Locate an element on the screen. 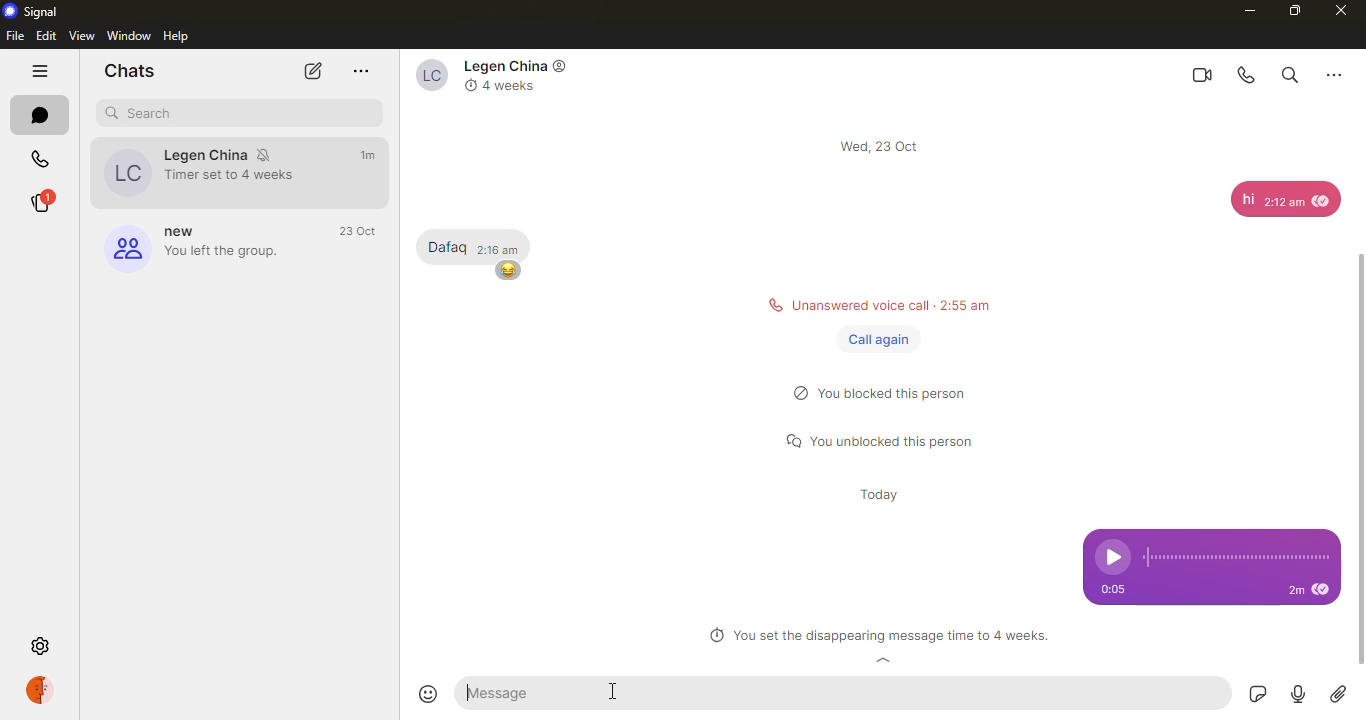   You blocked this person is located at coordinates (890, 396).